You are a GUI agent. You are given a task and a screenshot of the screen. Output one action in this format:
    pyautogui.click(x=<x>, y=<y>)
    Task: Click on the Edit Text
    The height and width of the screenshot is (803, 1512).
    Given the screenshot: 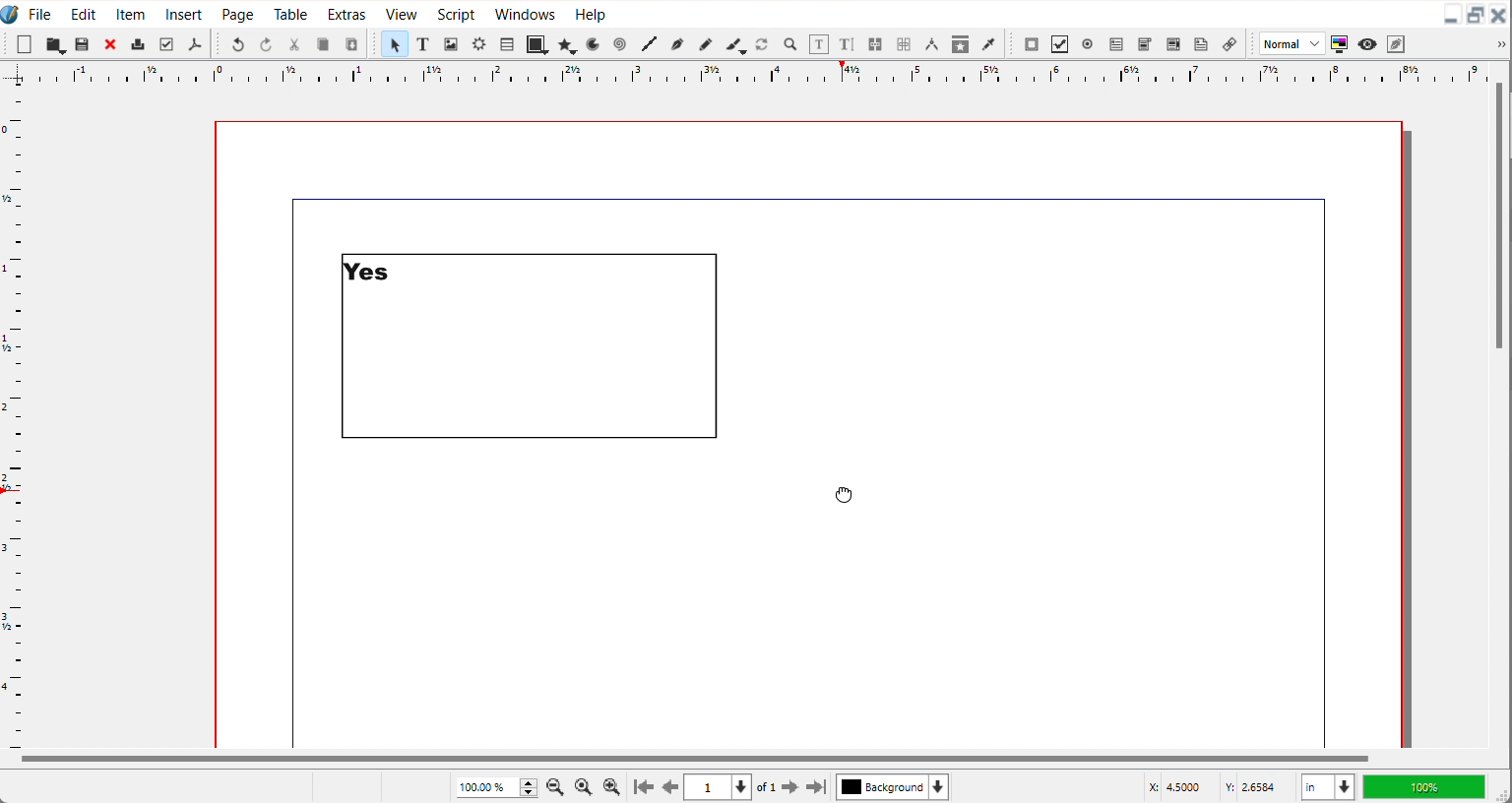 What is the action you would take?
    pyautogui.click(x=849, y=45)
    